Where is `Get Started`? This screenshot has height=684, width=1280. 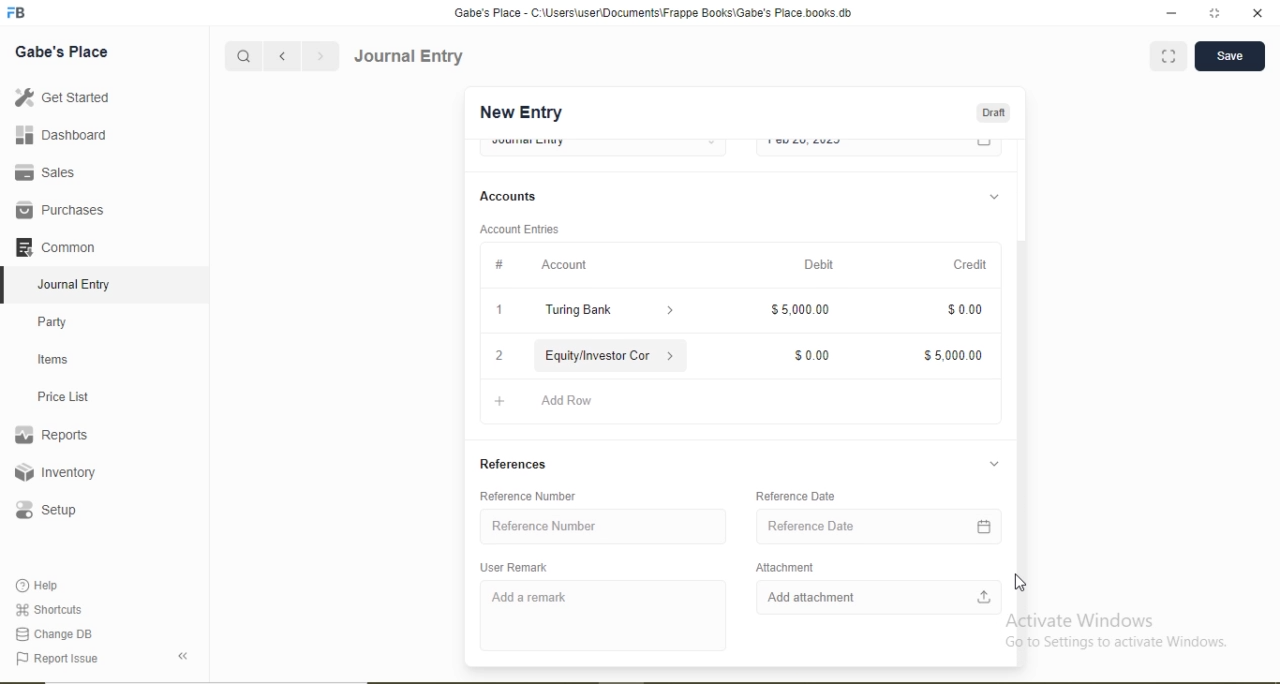 Get Started is located at coordinates (61, 96).